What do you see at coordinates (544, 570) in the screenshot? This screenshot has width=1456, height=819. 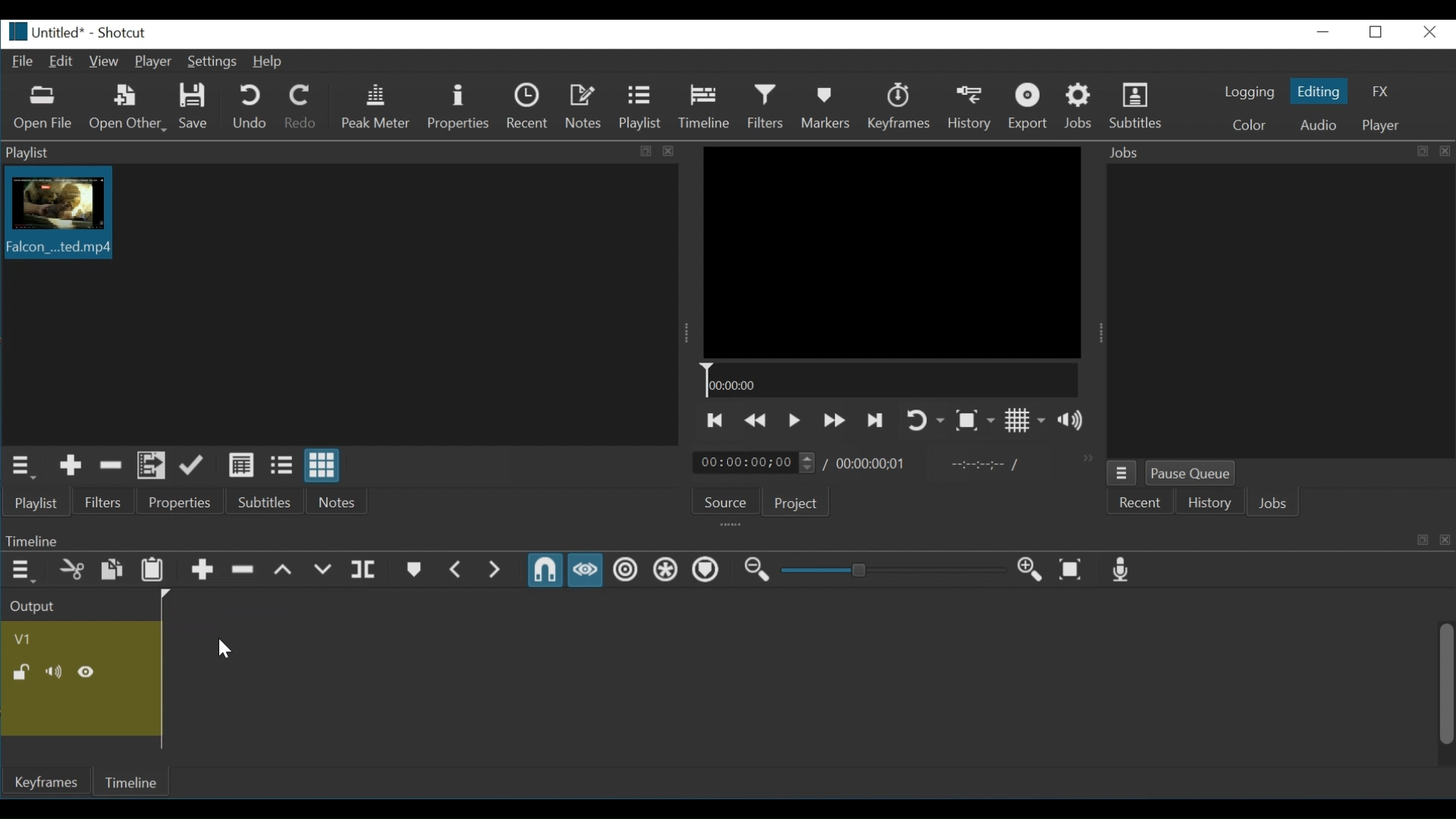 I see `Snap` at bounding box center [544, 570].